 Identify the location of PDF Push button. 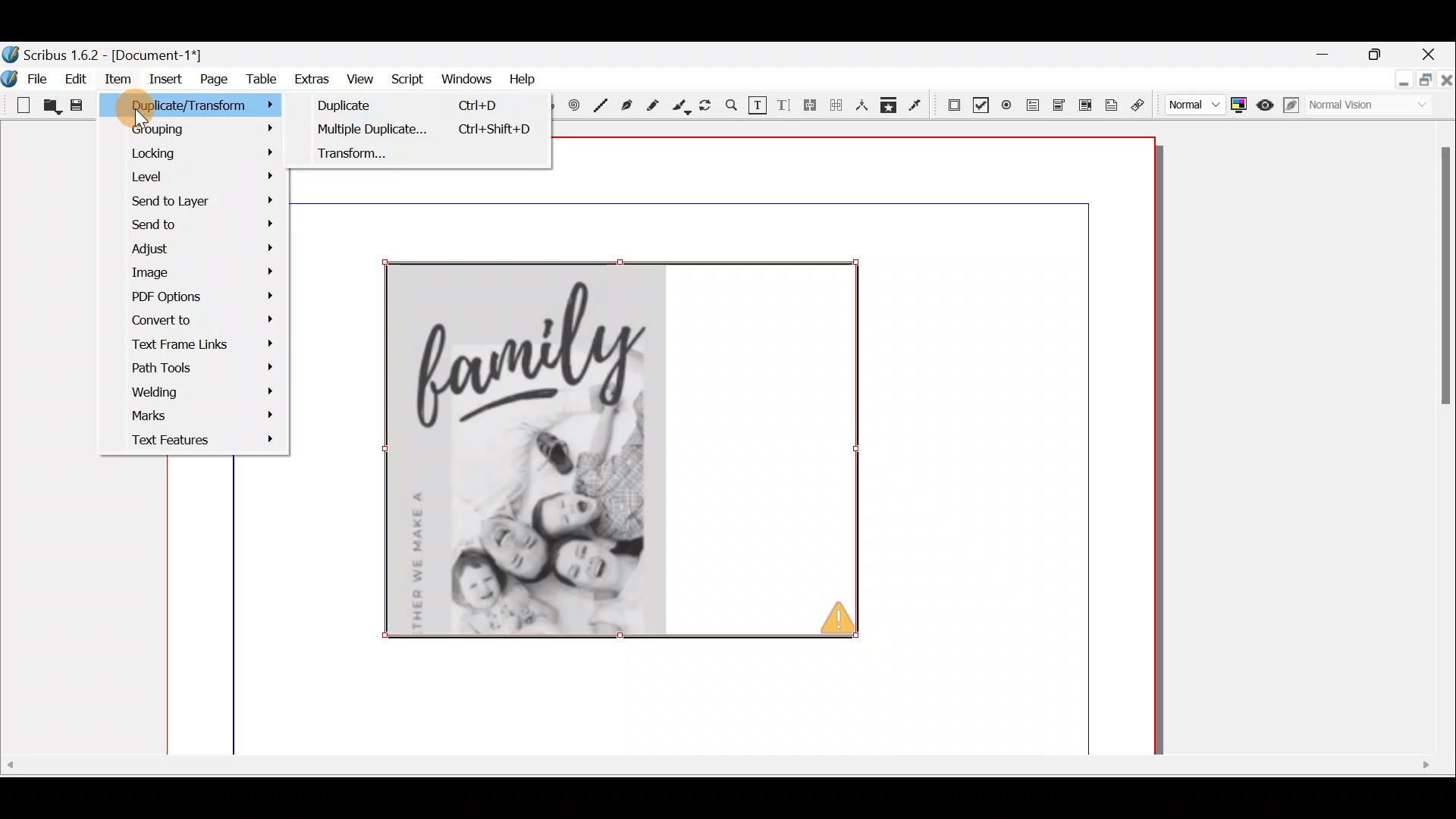
(952, 104).